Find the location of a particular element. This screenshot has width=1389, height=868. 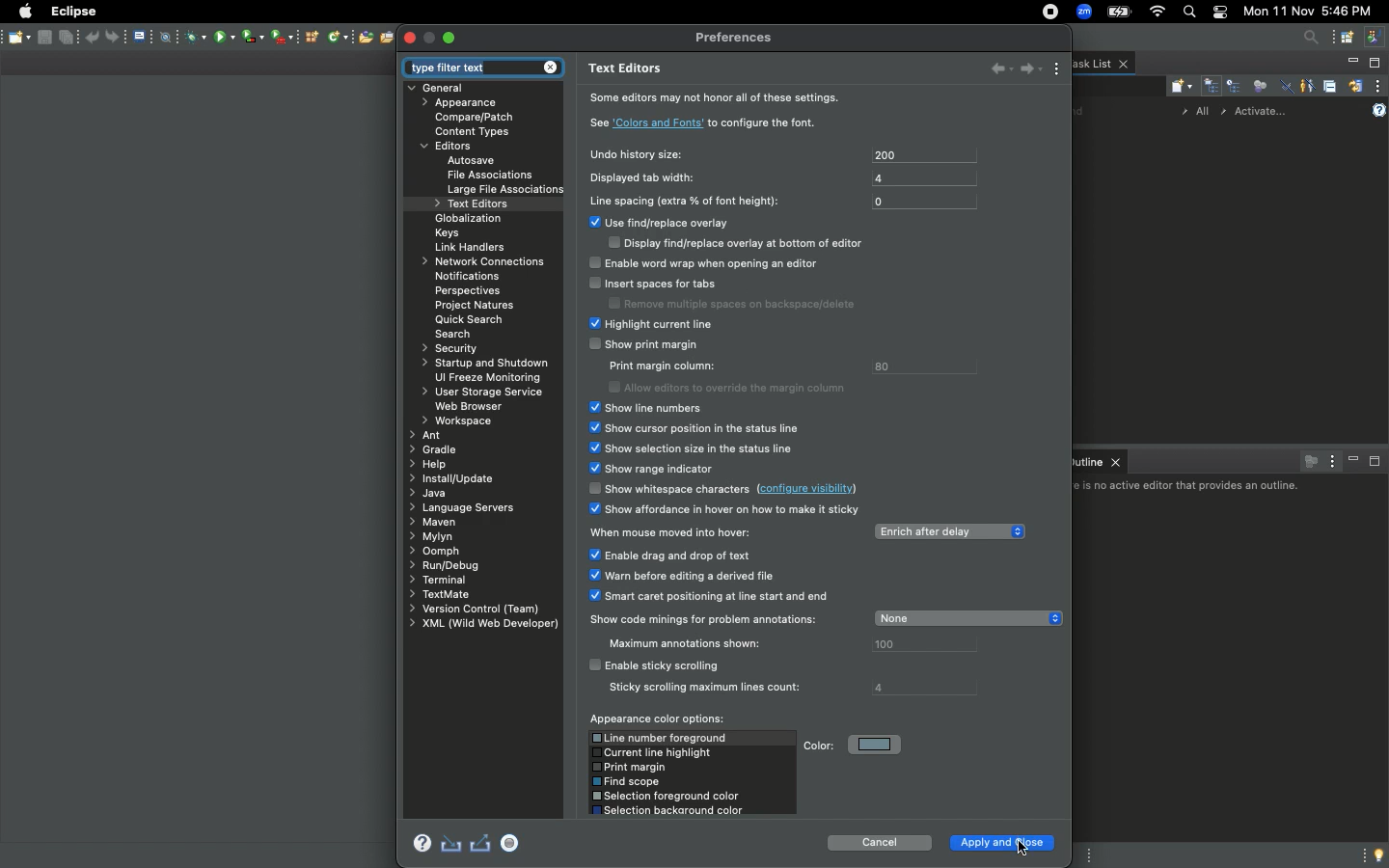

Activate is located at coordinates (1267, 108).